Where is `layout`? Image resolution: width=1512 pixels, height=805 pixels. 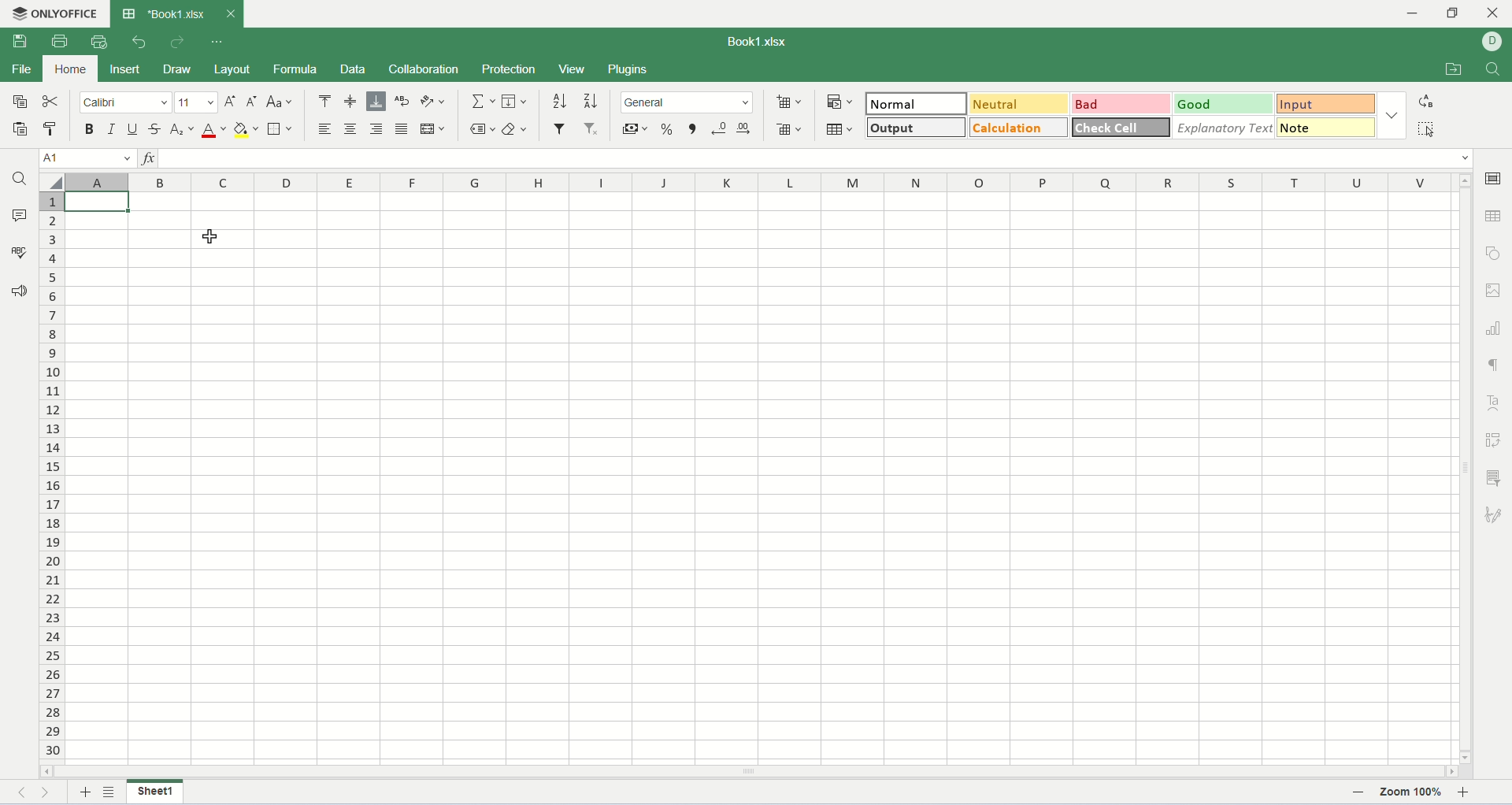 layout is located at coordinates (233, 70).